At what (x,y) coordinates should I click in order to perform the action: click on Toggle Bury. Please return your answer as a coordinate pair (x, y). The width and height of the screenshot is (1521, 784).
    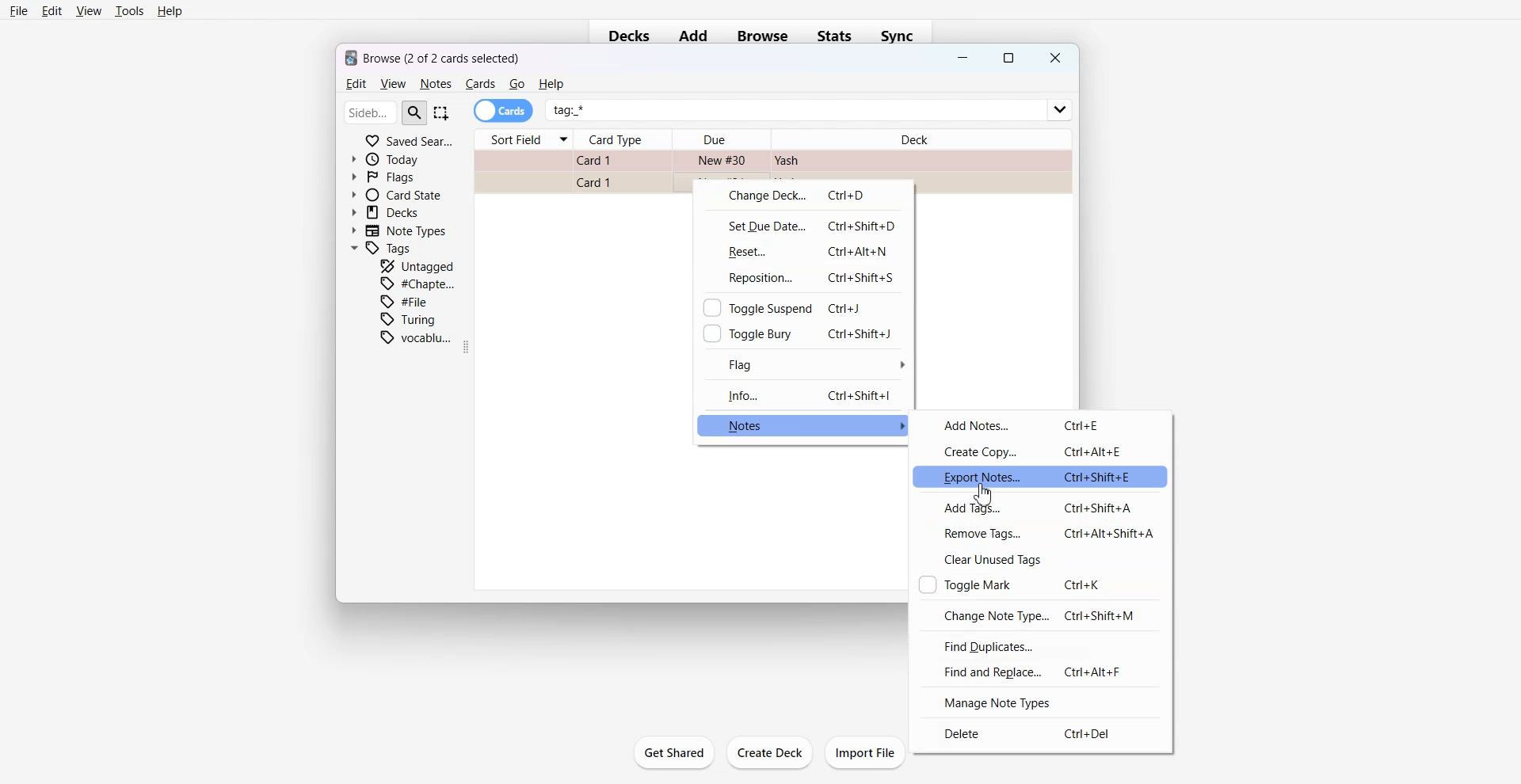
    Looking at the image, I should click on (802, 333).